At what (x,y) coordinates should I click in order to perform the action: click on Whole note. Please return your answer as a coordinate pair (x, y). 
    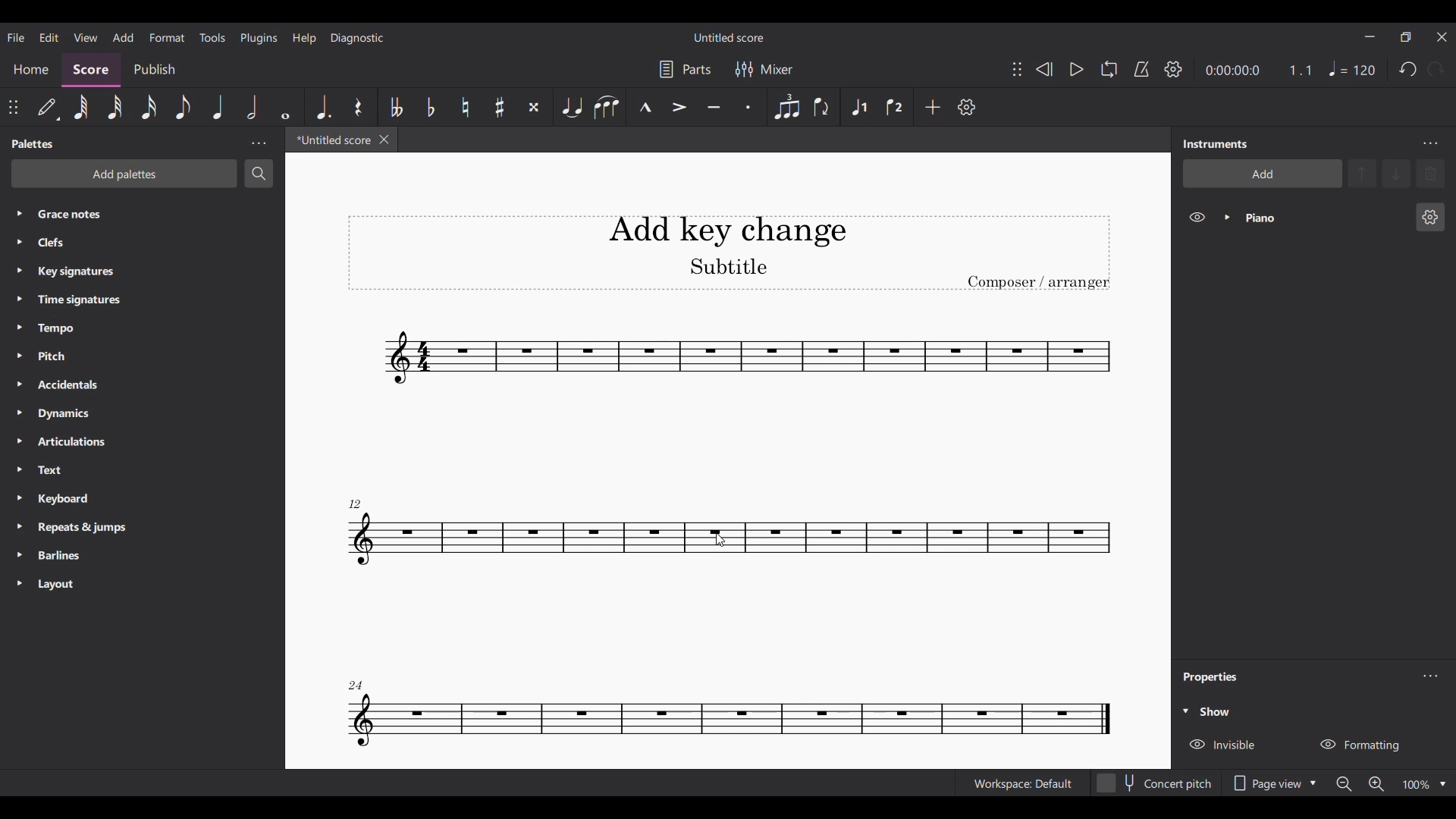
    Looking at the image, I should click on (285, 108).